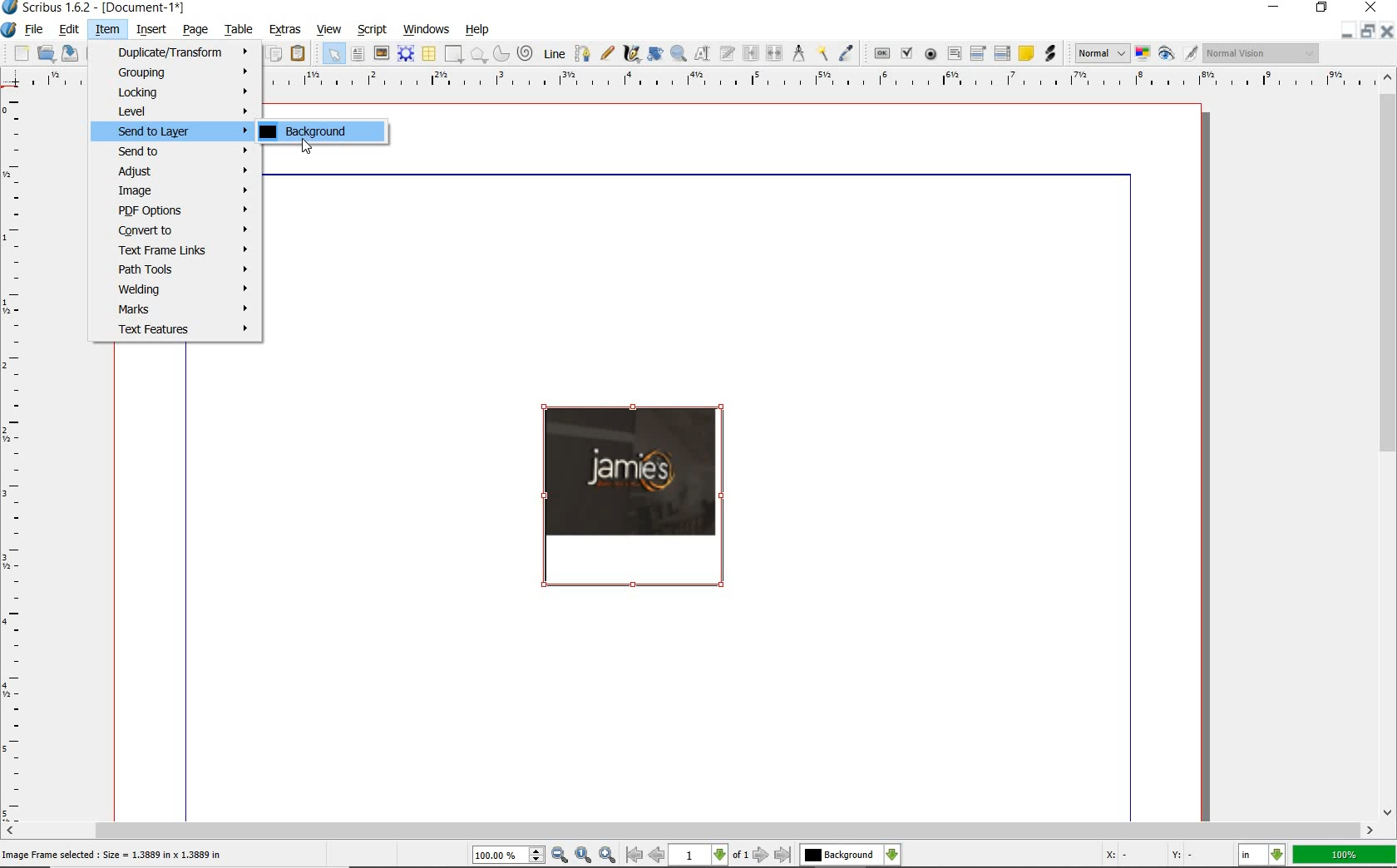 This screenshot has width=1397, height=868. What do you see at coordinates (175, 190) in the screenshot?
I see `Image` at bounding box center [175, 190].